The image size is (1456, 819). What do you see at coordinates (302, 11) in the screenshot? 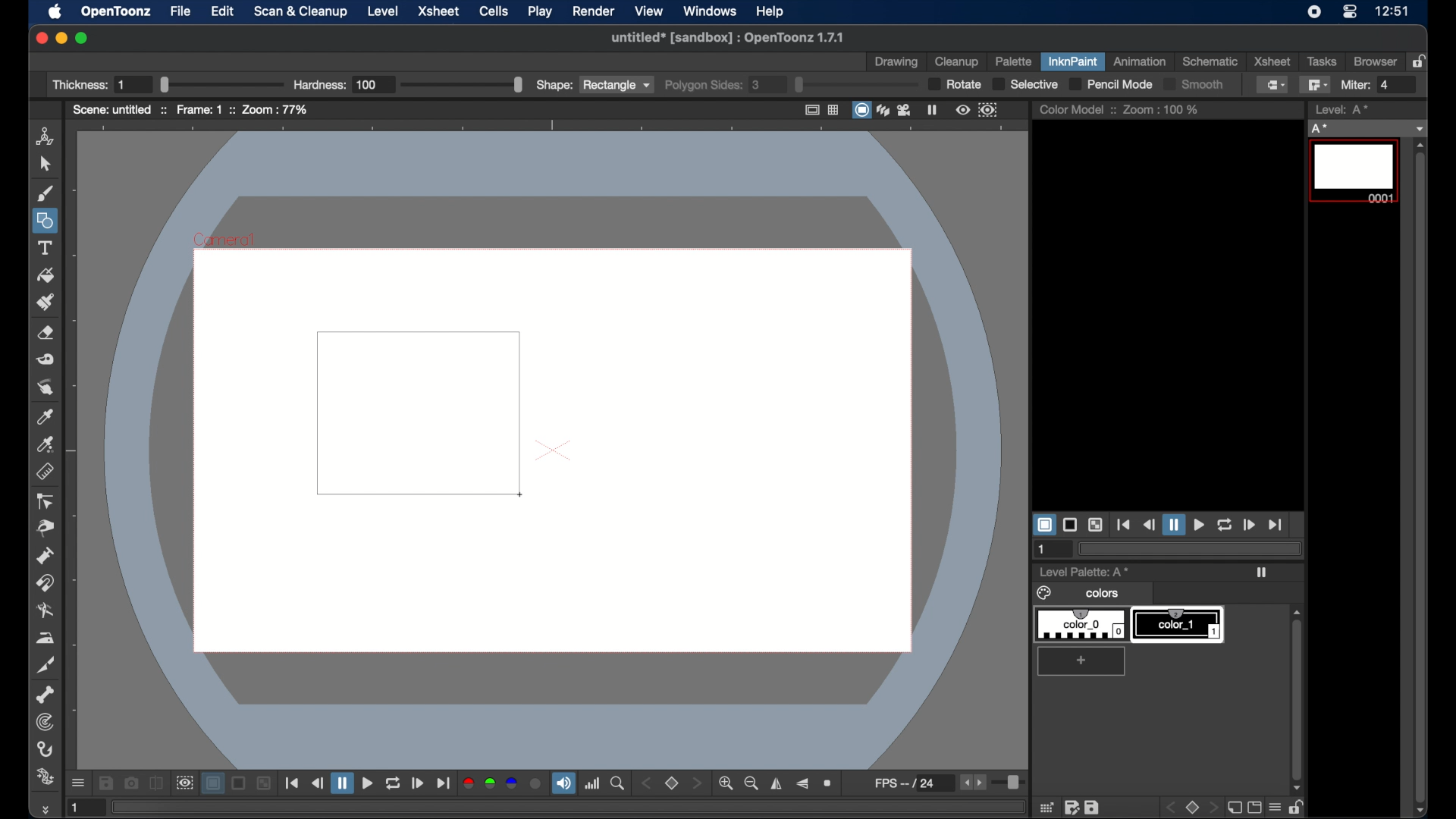
I see `scan and cleanup` at bounding box center [302, 11].